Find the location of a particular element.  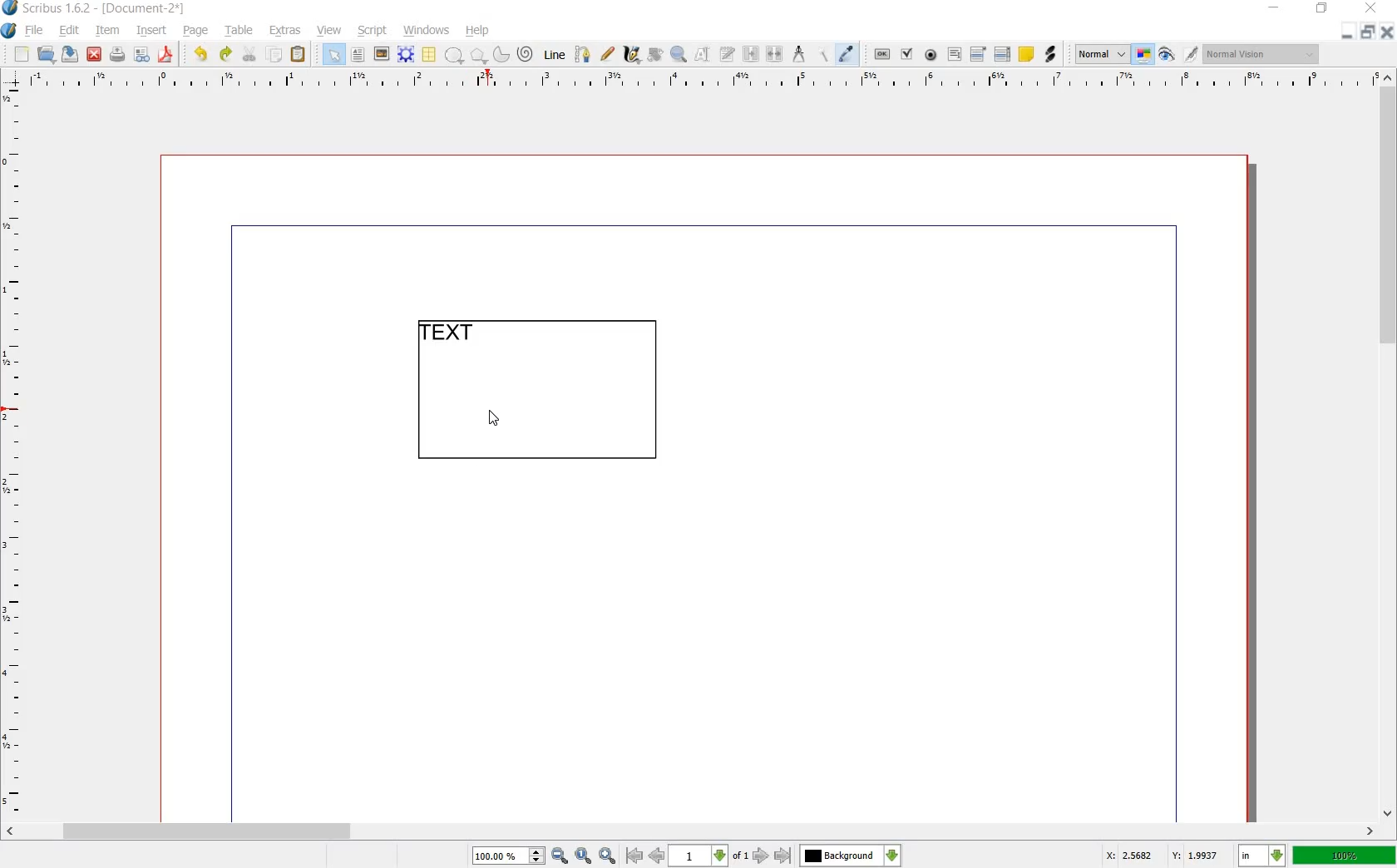

system logo is located at coordinates (8, 31).